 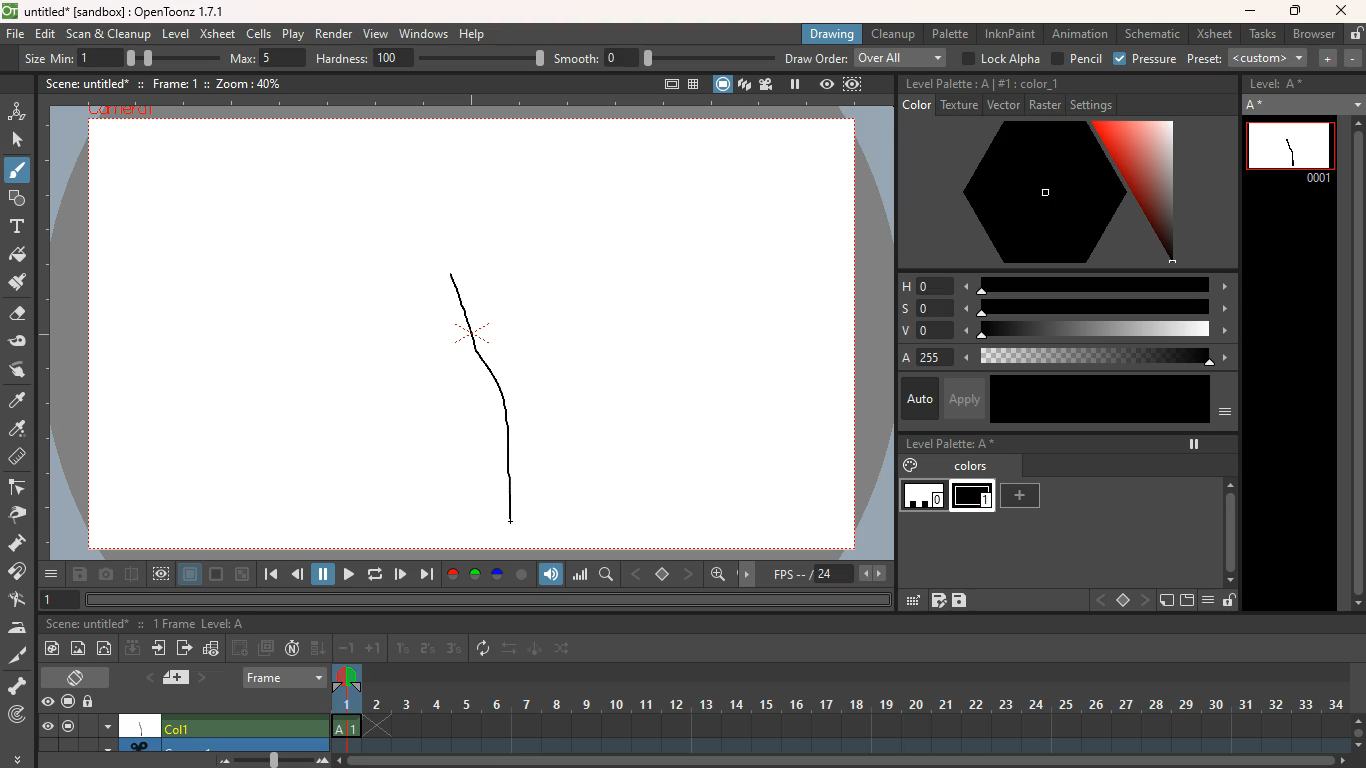 I want to click on edit, so click(x=23, y=342).